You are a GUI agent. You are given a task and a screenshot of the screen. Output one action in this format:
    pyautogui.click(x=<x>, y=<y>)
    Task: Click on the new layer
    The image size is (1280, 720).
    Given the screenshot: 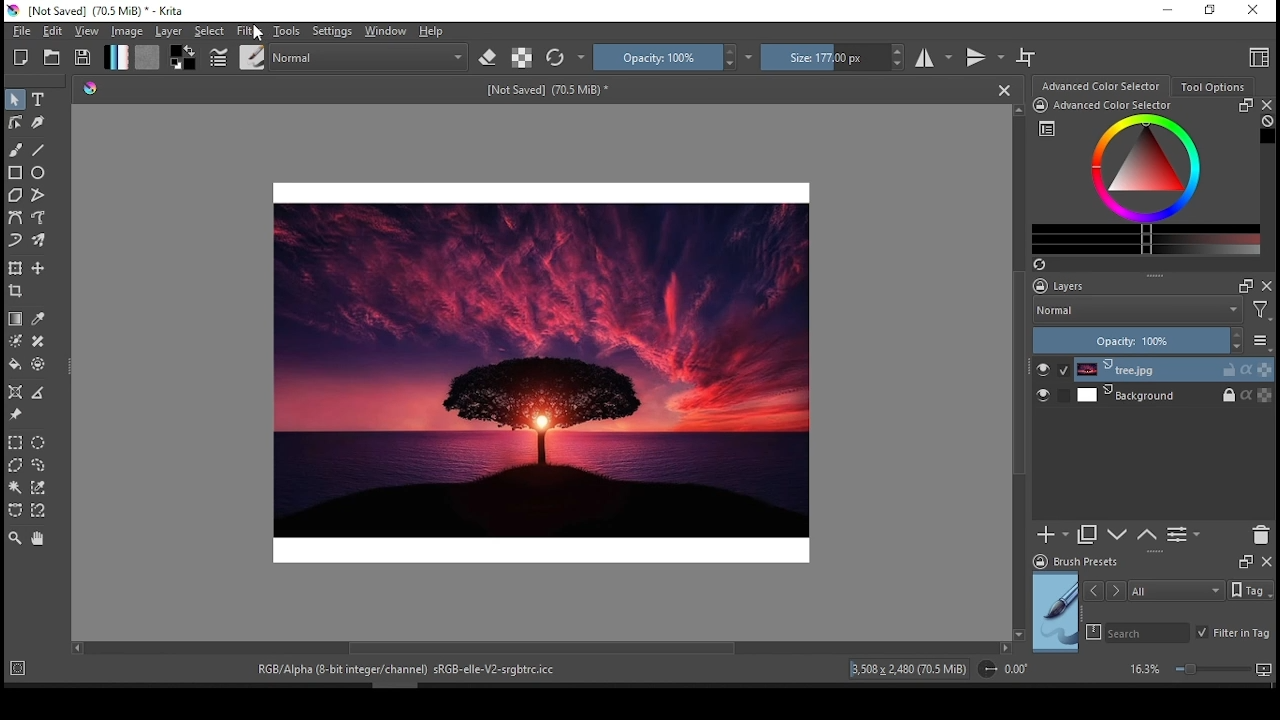 What is the action you would take?
    pyautogui.click(x=1052, y=536)
    